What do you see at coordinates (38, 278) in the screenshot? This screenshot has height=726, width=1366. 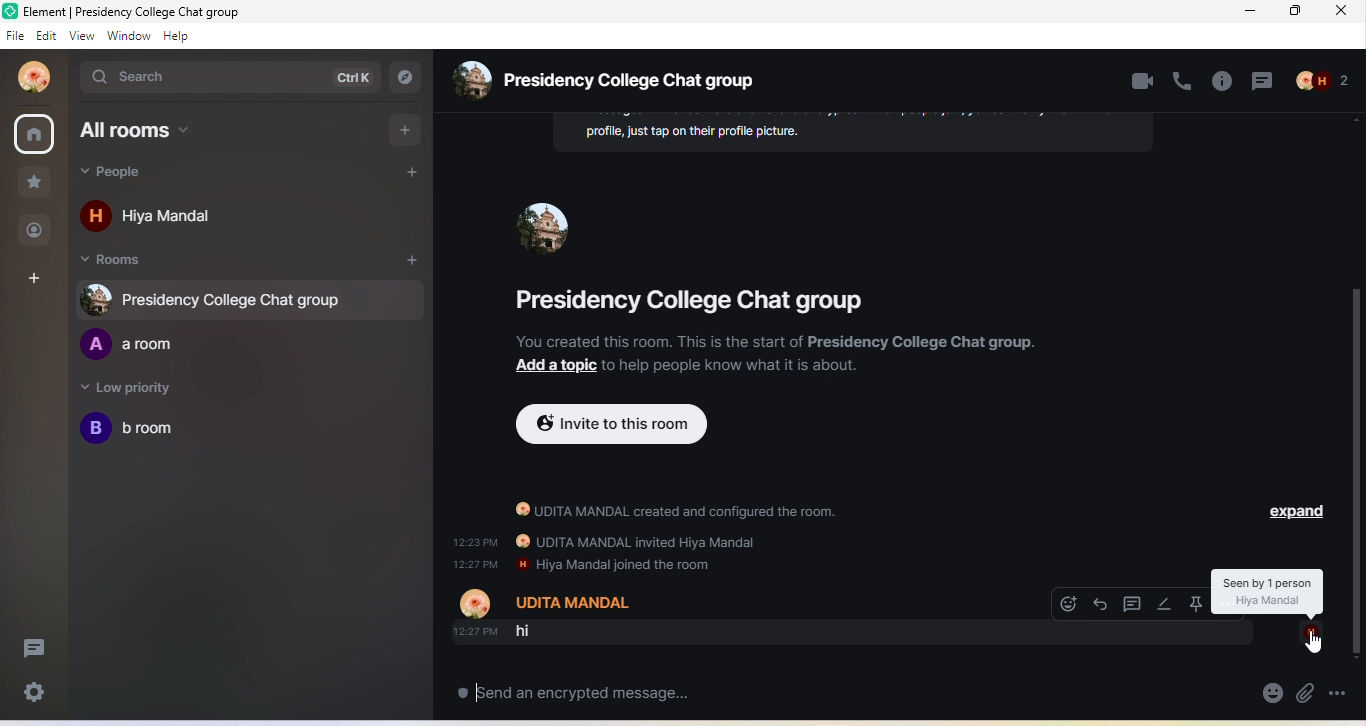 I see `create a space` at bounding box center [38, 278].